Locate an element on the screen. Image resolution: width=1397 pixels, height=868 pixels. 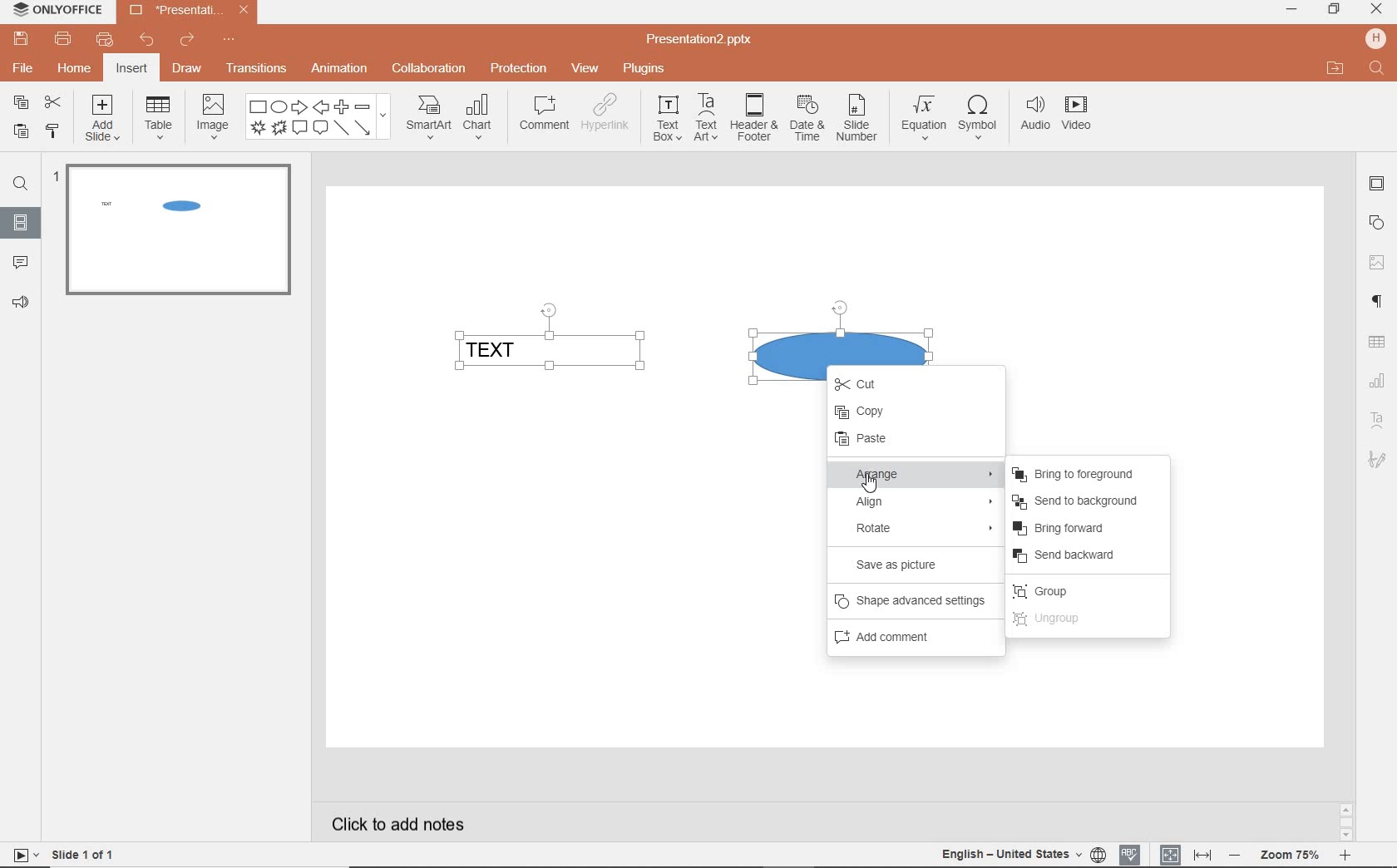
ZOOM is located at coordinates (1289, 857).